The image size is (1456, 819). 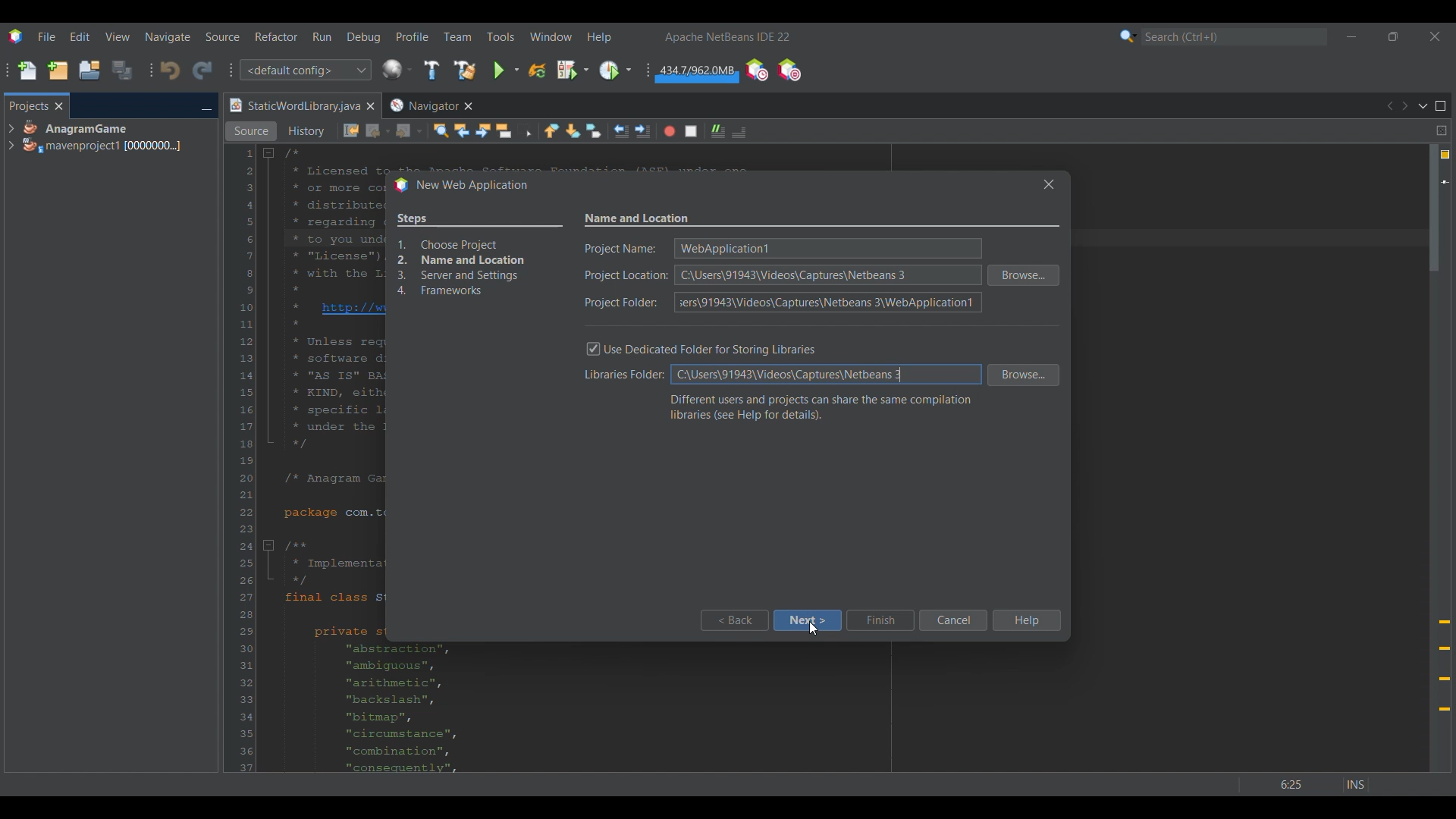 What do you see at coordinates (1235, 36) in the screenshot?
I see `Search box` at bounding box center [1235, 36].